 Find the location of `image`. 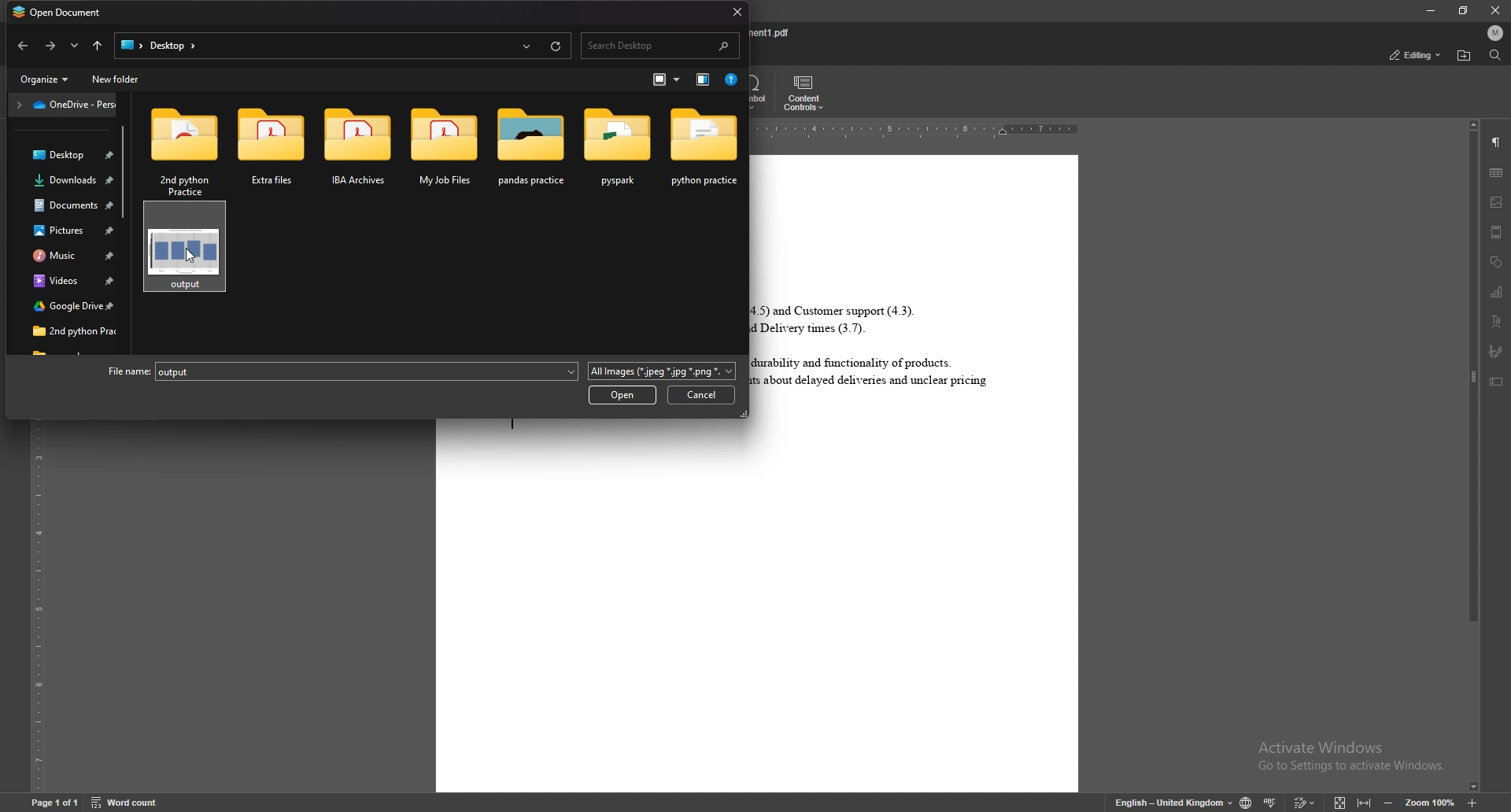

image is located at coordinates (184, 249).